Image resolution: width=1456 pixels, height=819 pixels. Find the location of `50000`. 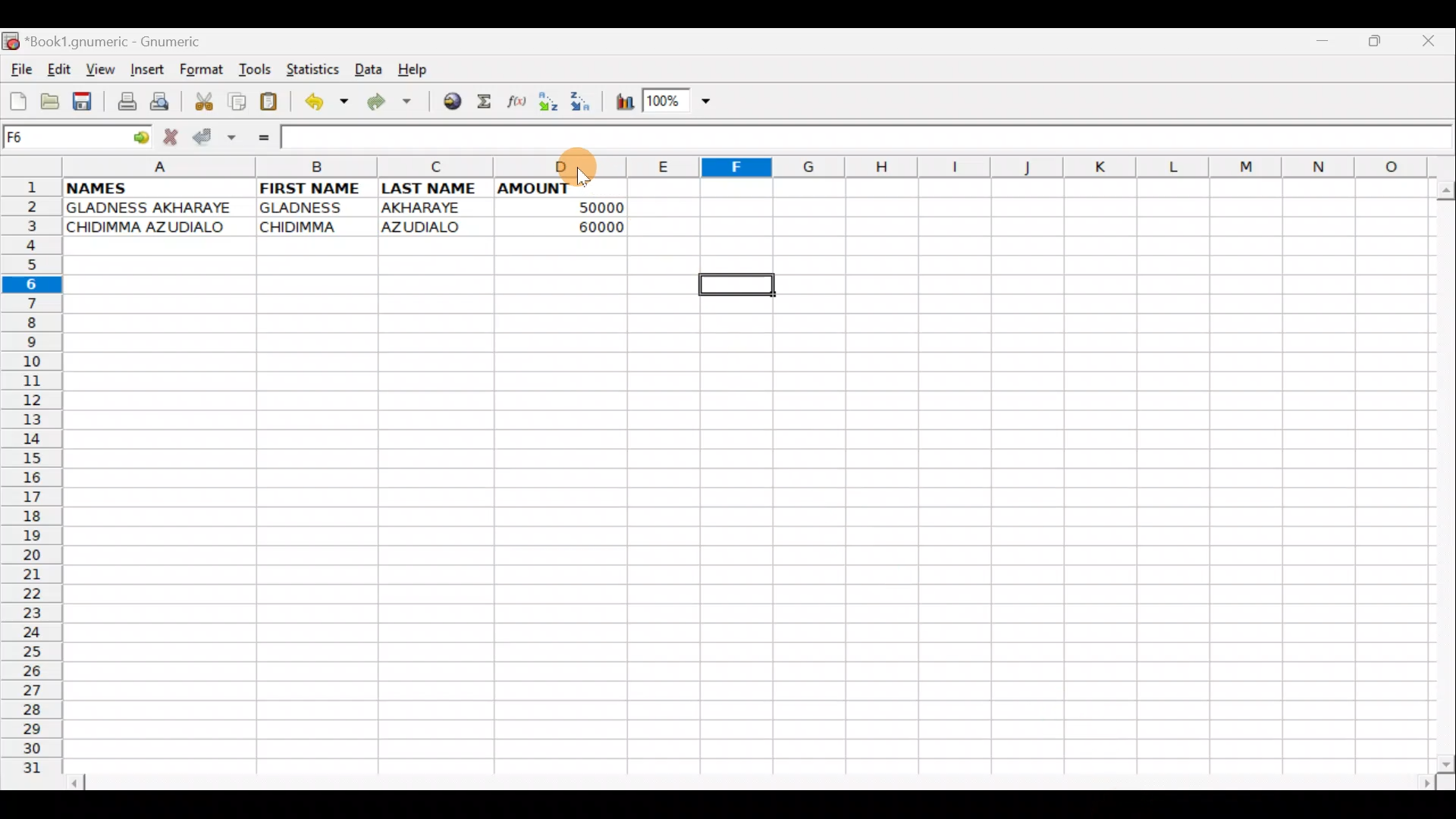

50000 is located at coordinates (579, 206).